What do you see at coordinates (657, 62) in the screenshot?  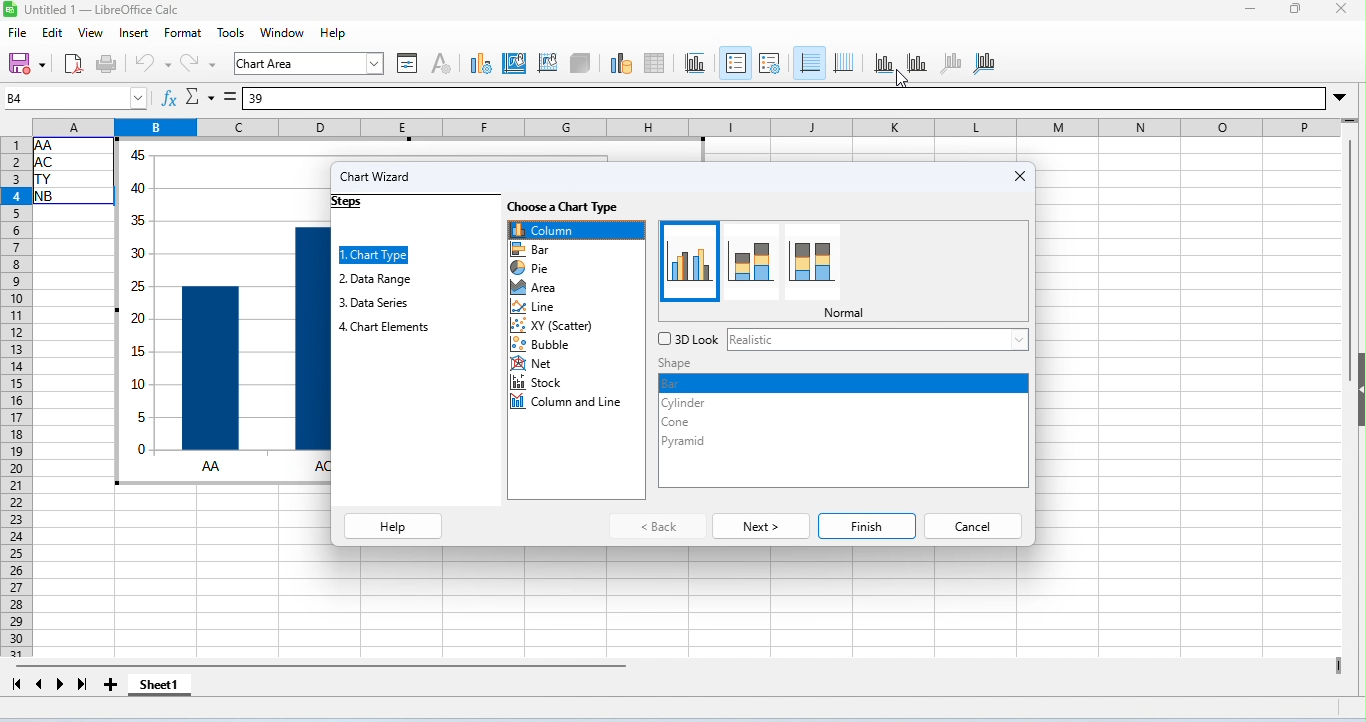 I see `data table` at bounding box center [657, 62].